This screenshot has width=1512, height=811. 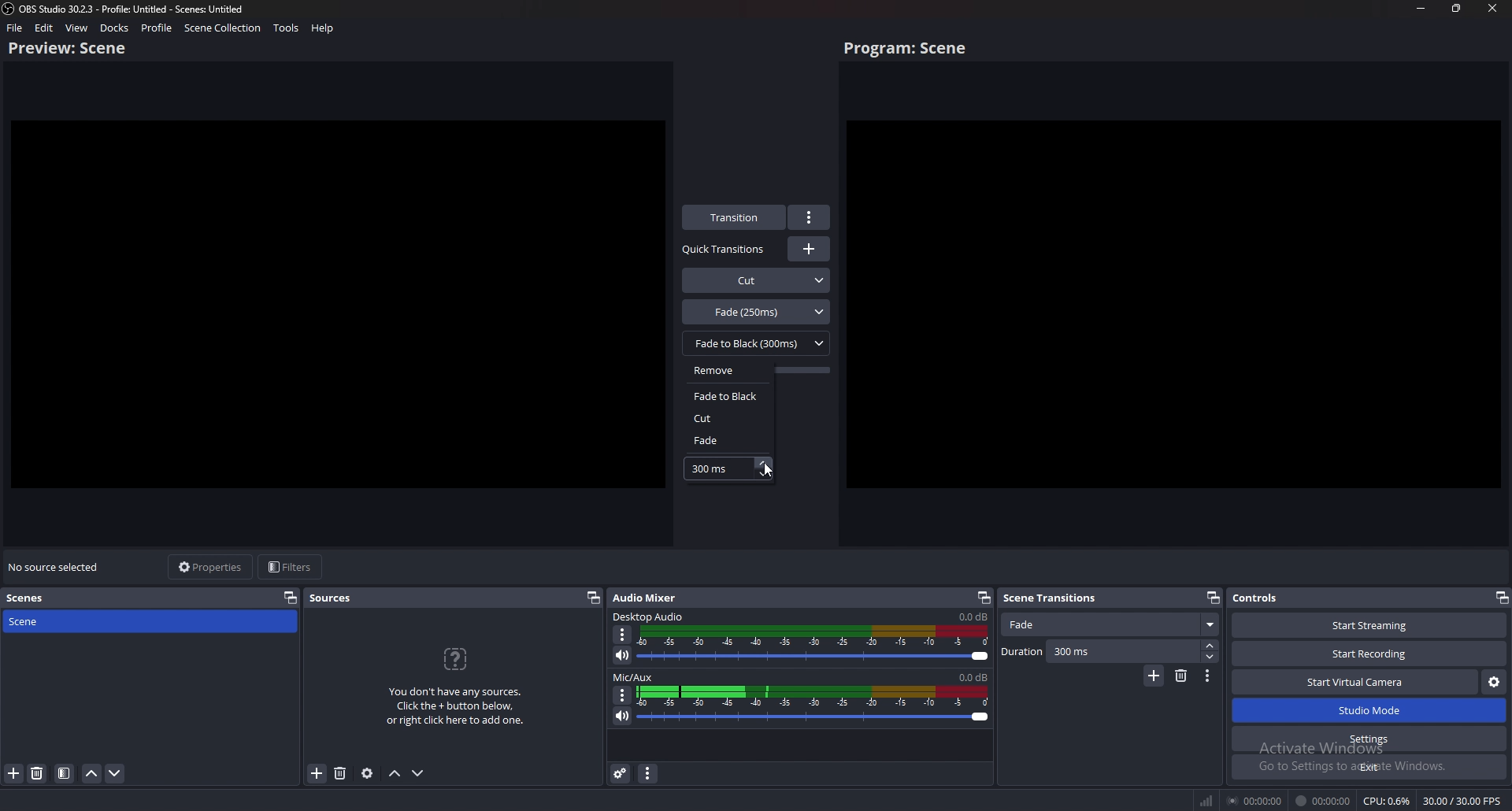 What do you see at coordinates (1422, 8) in the screenshot?
I see `minimize` at bounding box center [1422, 8].